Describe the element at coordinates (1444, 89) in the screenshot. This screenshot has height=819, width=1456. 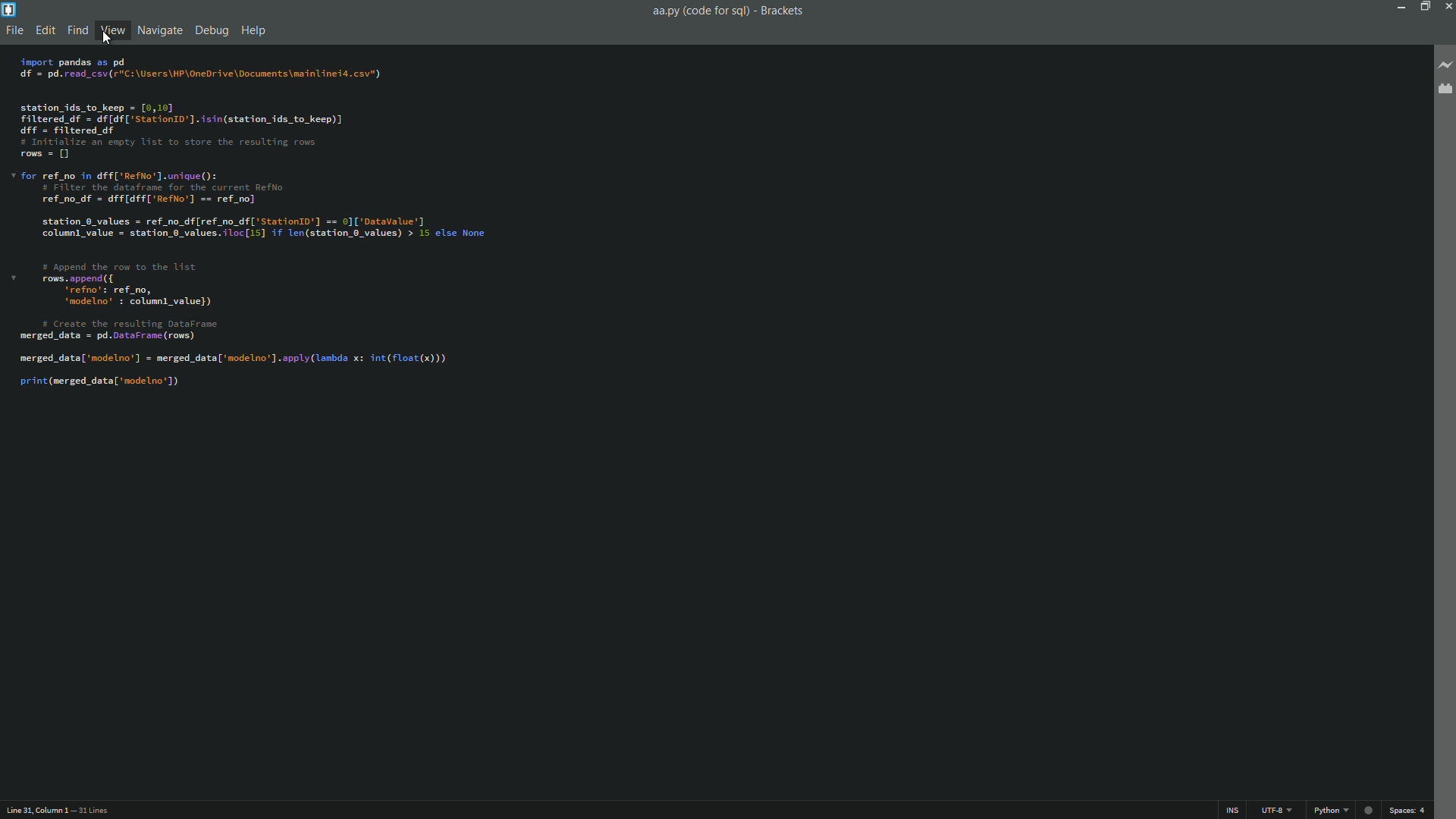
I see `extension manager` at that location.